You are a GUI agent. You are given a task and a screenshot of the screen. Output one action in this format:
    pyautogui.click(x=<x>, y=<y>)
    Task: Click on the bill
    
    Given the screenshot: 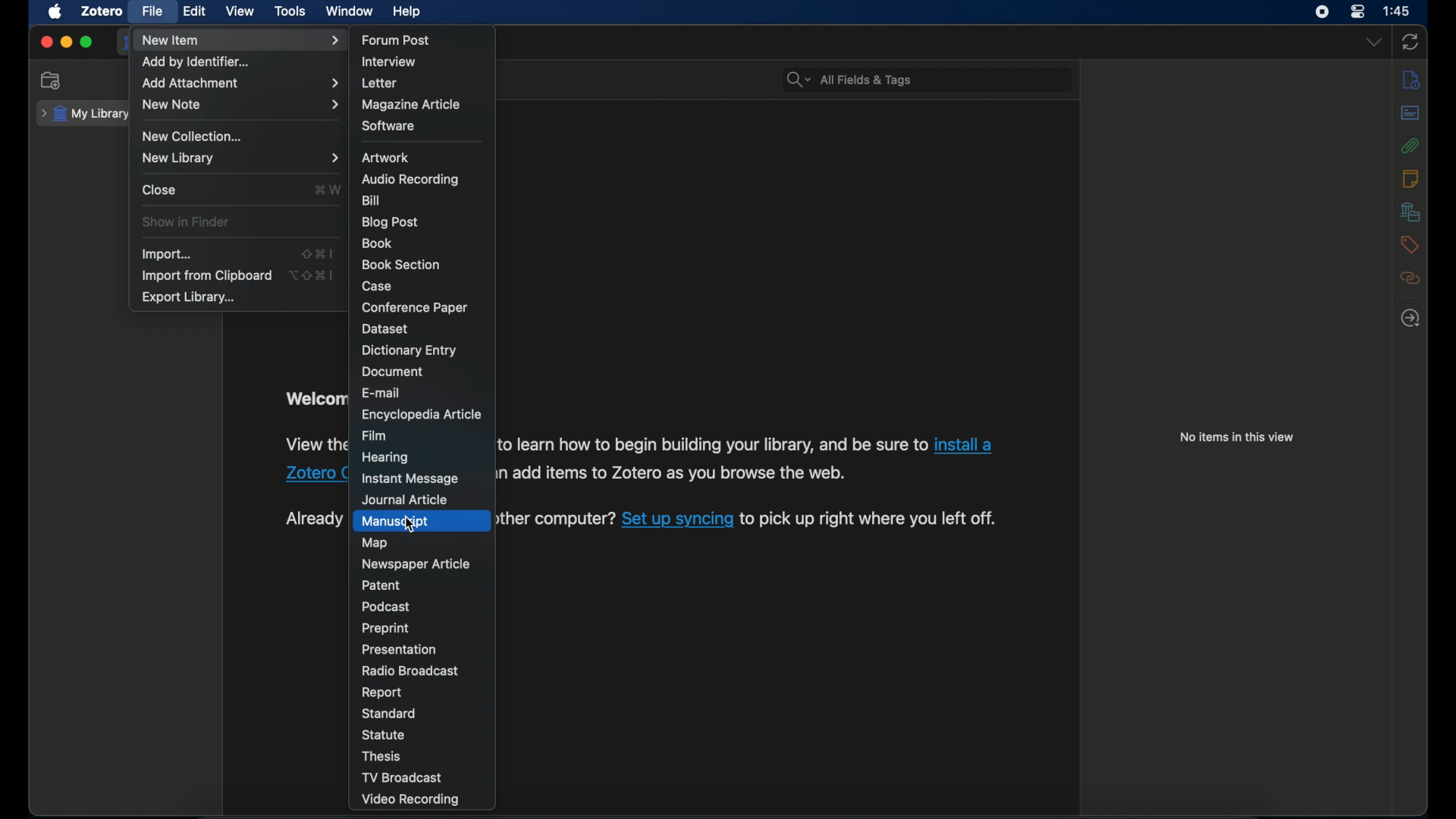 What is the action you would take?
    pyautogui.click(x=372, y=201)
    